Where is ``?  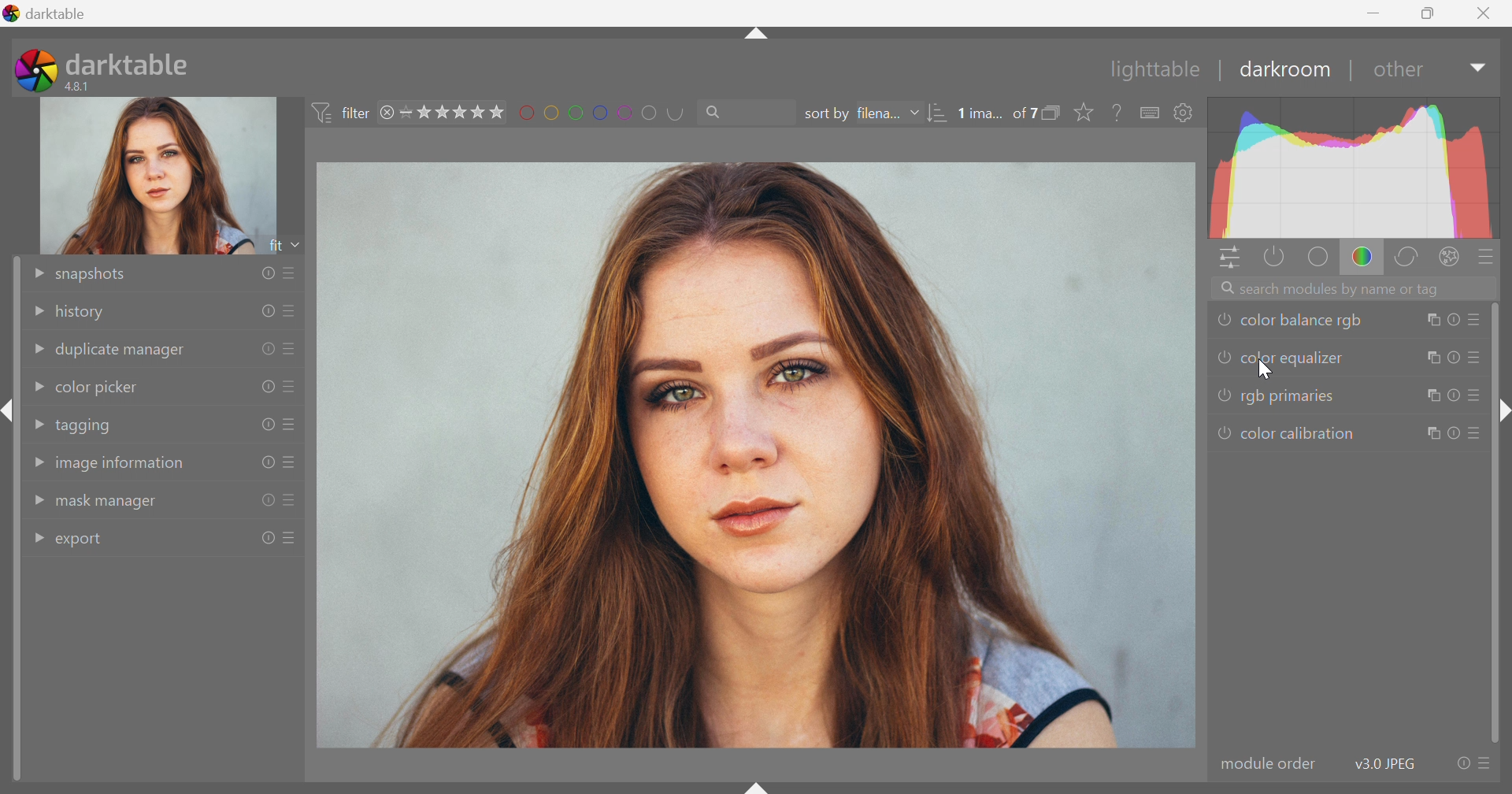
 is located at coordinates (1477, 394).